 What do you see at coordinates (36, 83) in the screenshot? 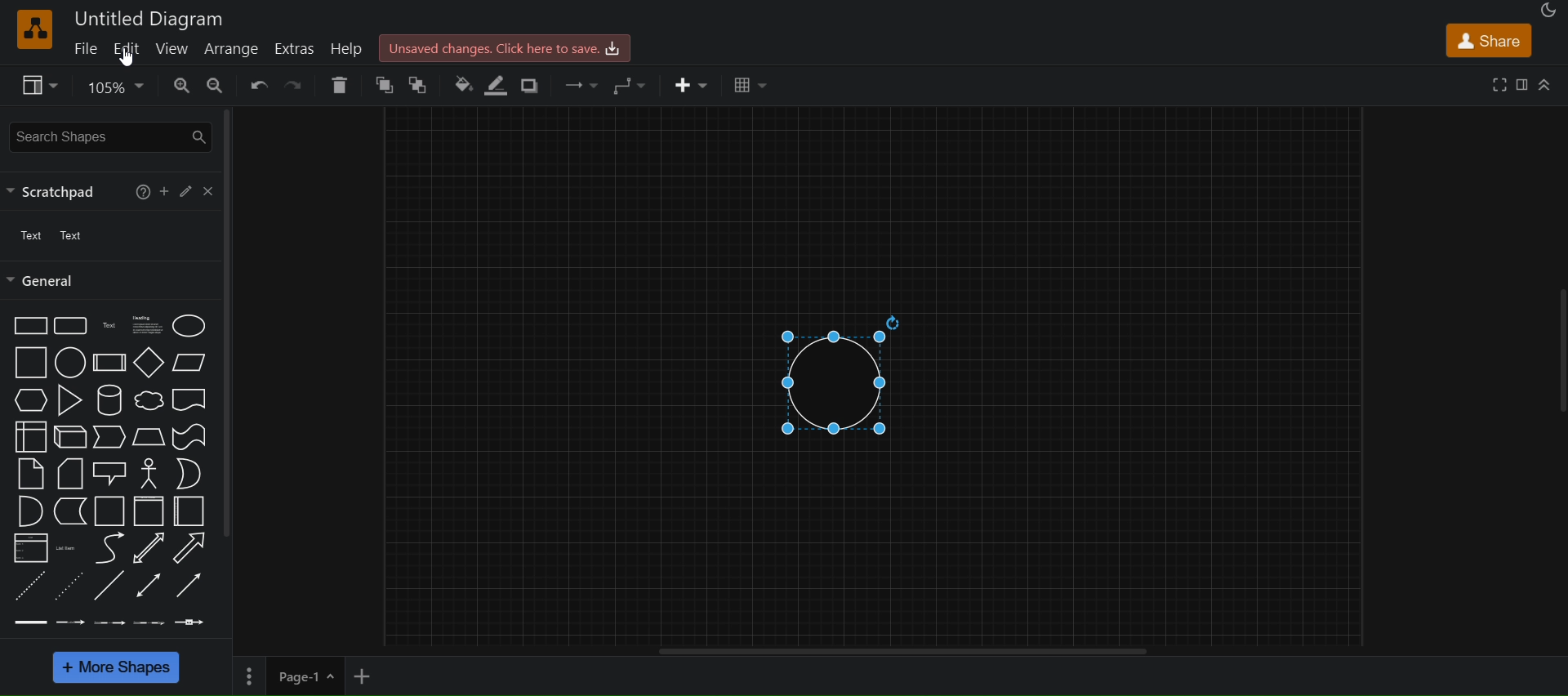
I see `view` at bounding box center [36, 83].